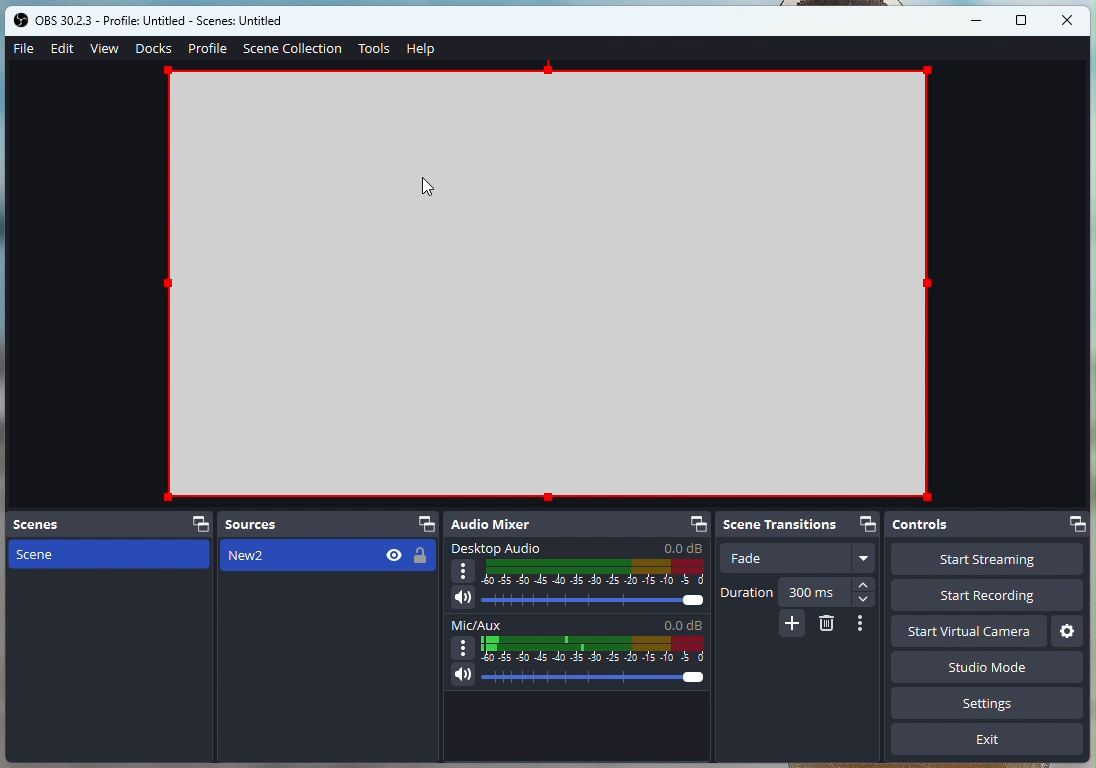 Image resolution: width=1096 pixels, height=768 pixels. What do you see at coordinates (169, 21) in the screenshot?
I see `obs studio` at bounding box center [169, 21].